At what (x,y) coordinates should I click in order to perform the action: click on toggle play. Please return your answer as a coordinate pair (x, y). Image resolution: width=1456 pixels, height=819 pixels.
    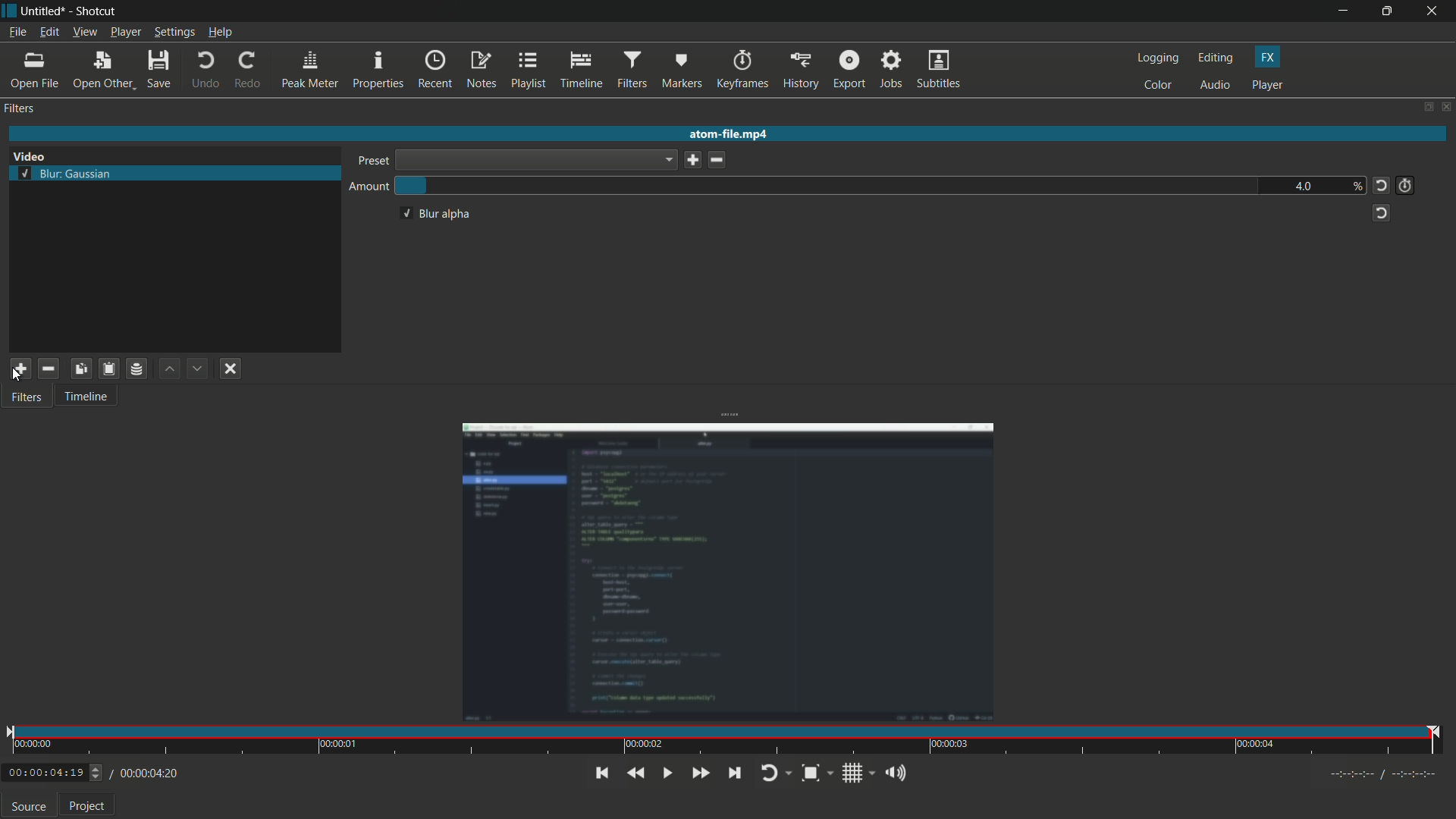
    Looking at the image, I should click on (665, 773).